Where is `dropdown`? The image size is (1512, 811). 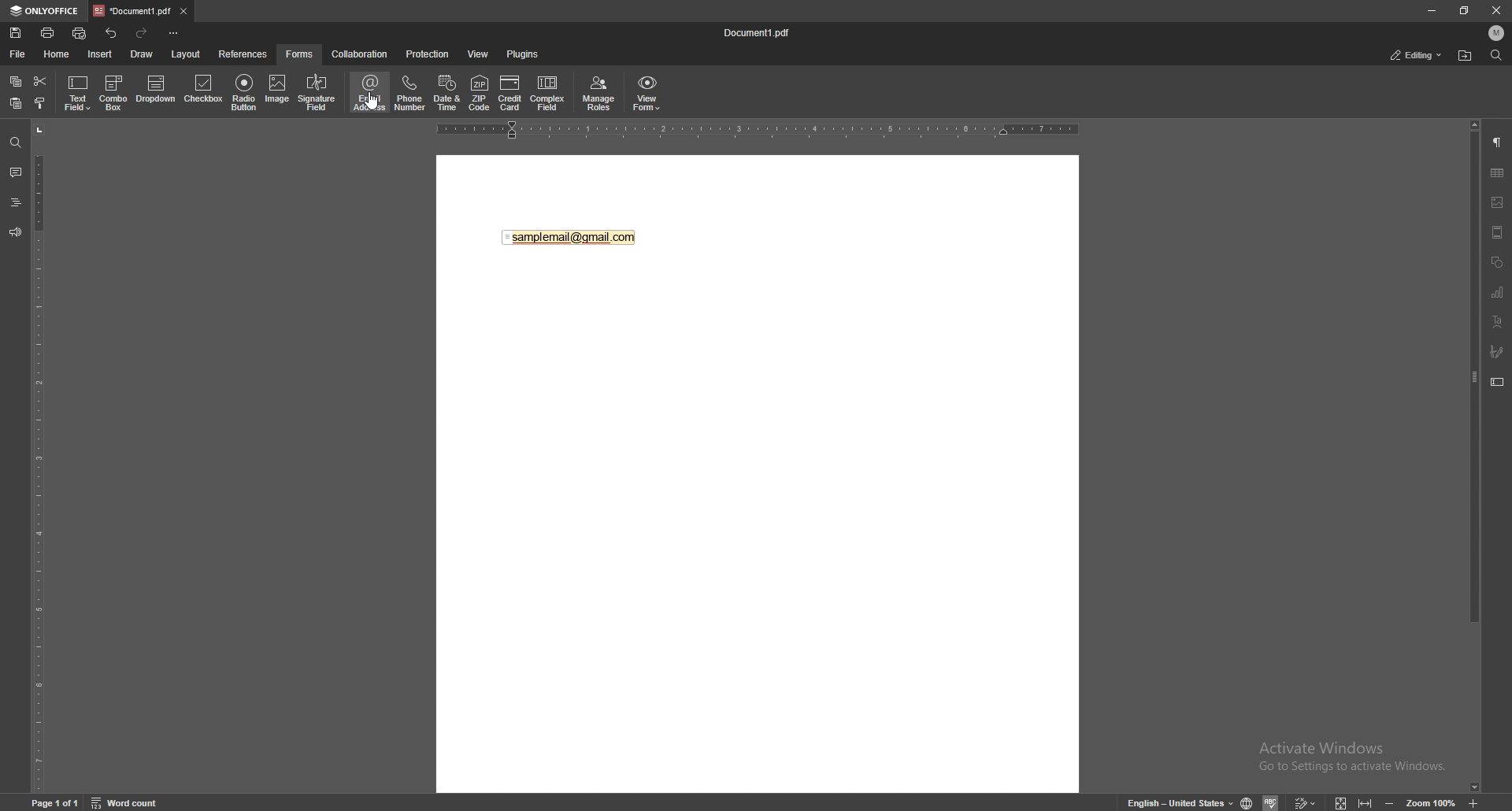 dropdown is located at coordinates (156, 91).